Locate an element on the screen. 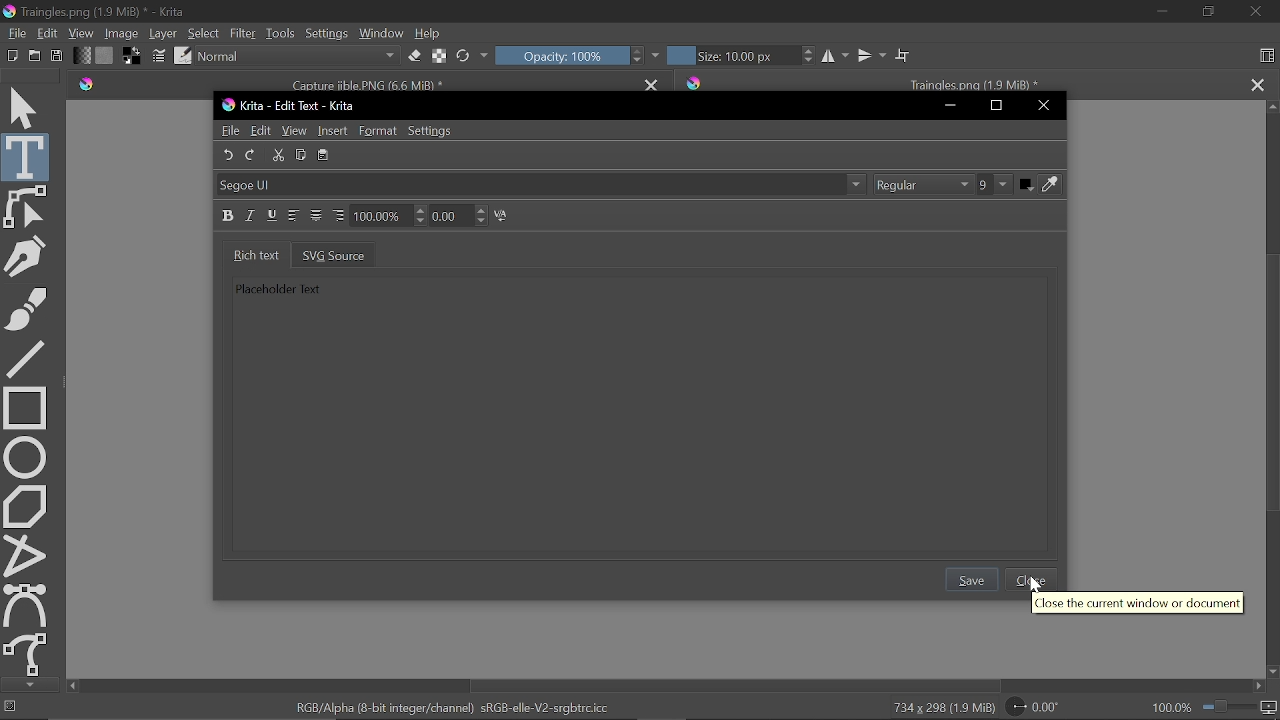  Move down in tools is located at coordinates (27, 685).